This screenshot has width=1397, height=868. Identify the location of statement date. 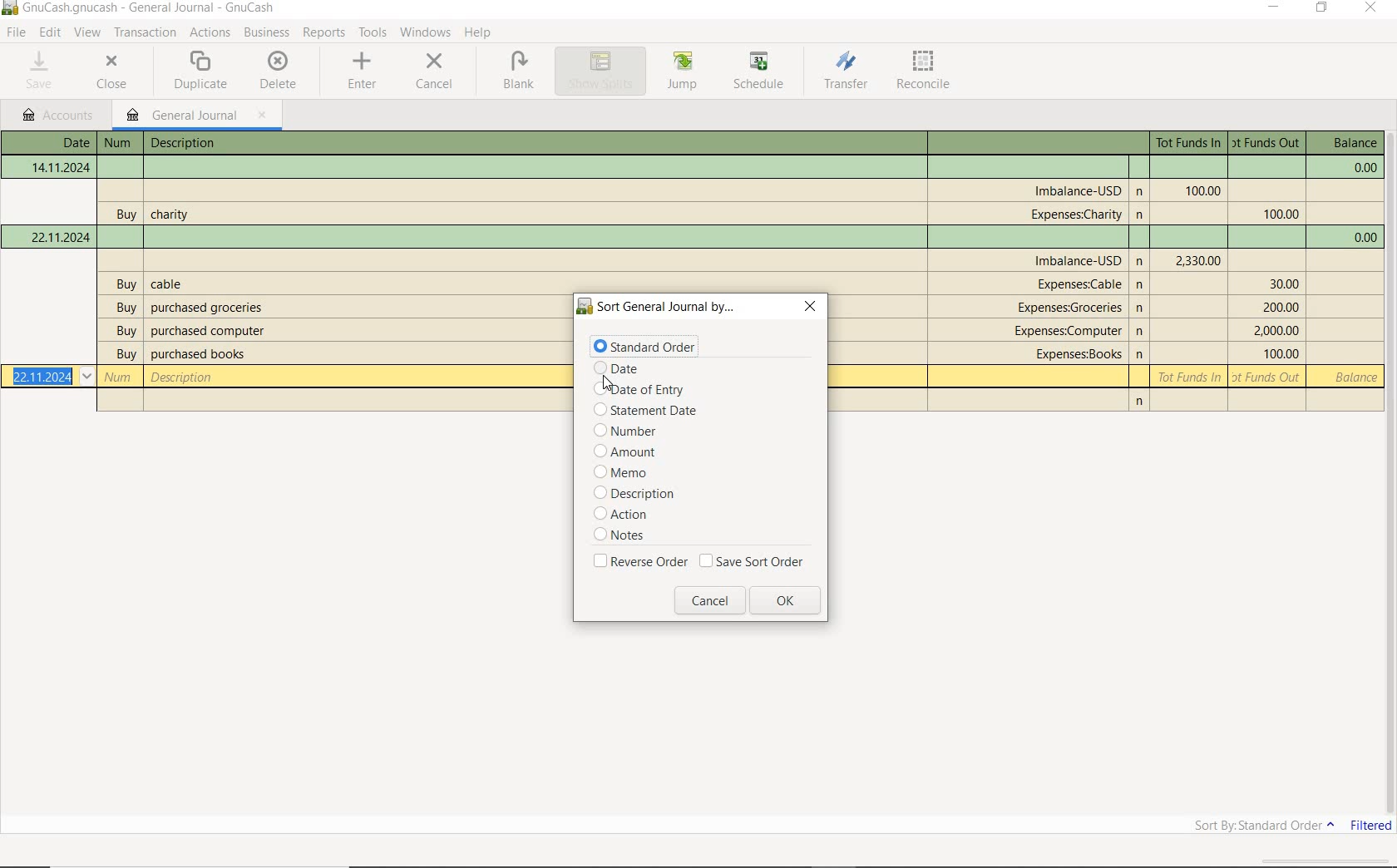
(640, 412).